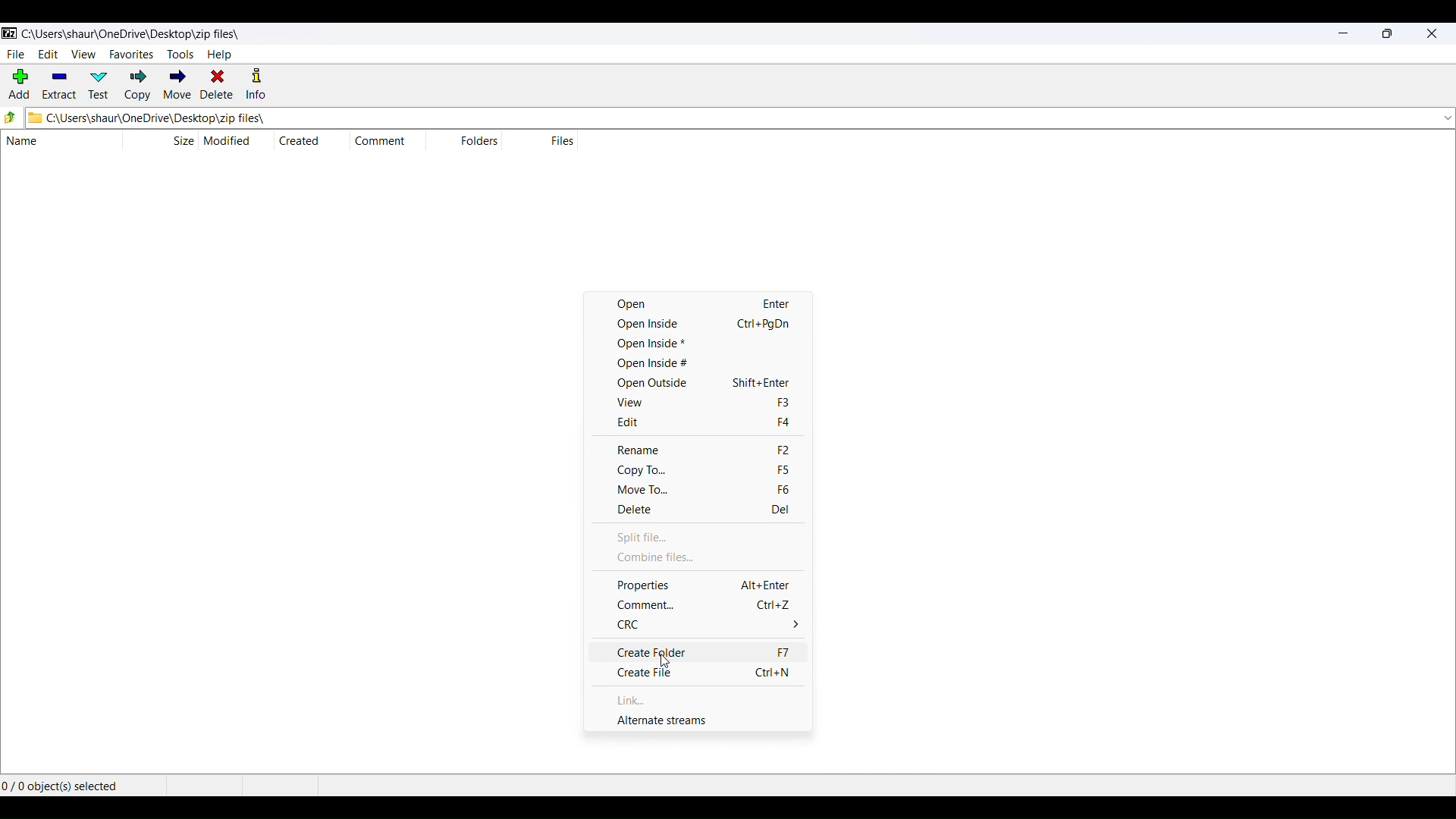  What do you see at coordinates (1387, 35) in the screenshot?
I see `MAXIMIZE` at bounding box center [1387, 35].